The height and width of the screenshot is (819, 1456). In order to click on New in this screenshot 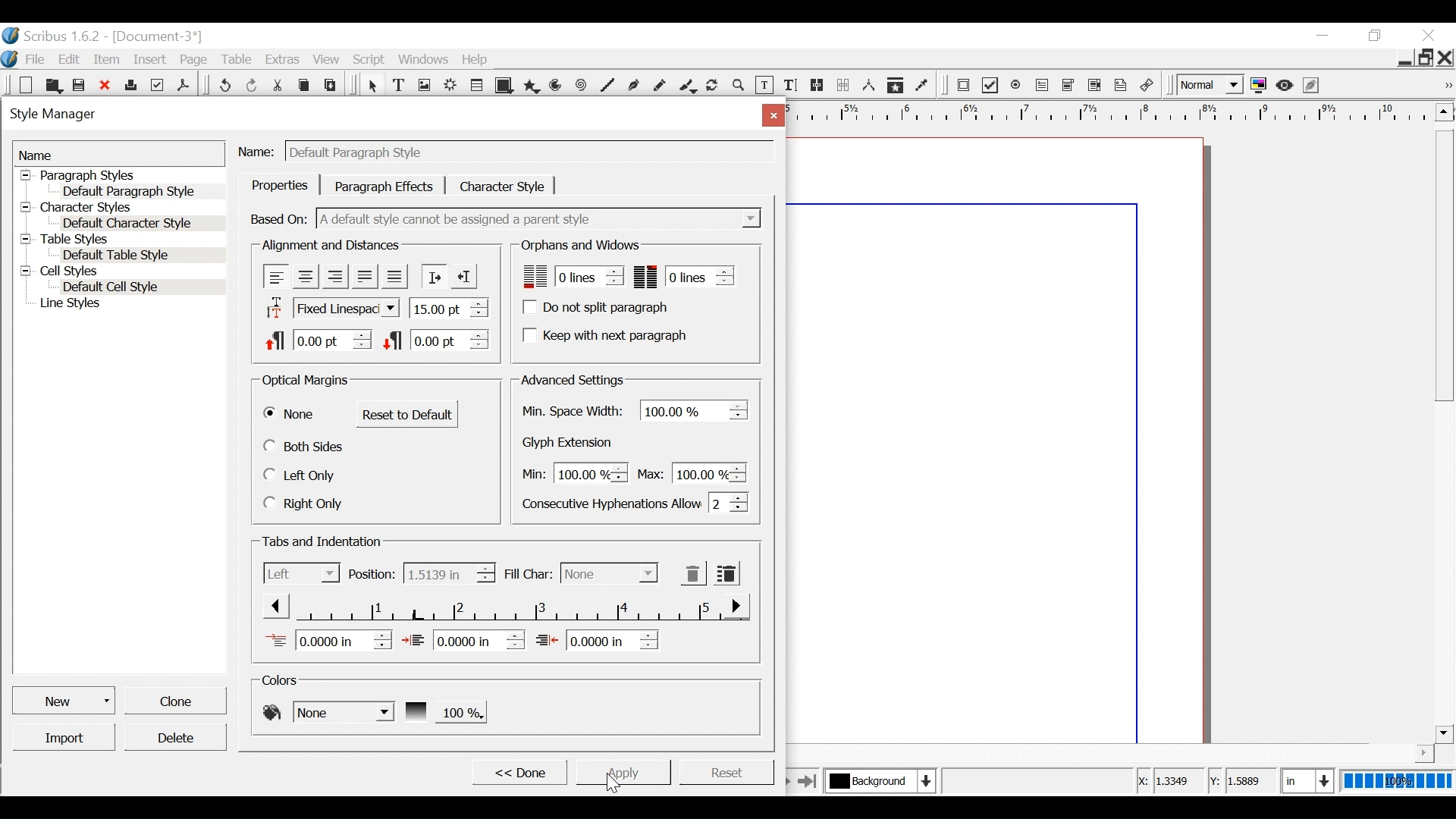, I will do `click(27, 85)`.